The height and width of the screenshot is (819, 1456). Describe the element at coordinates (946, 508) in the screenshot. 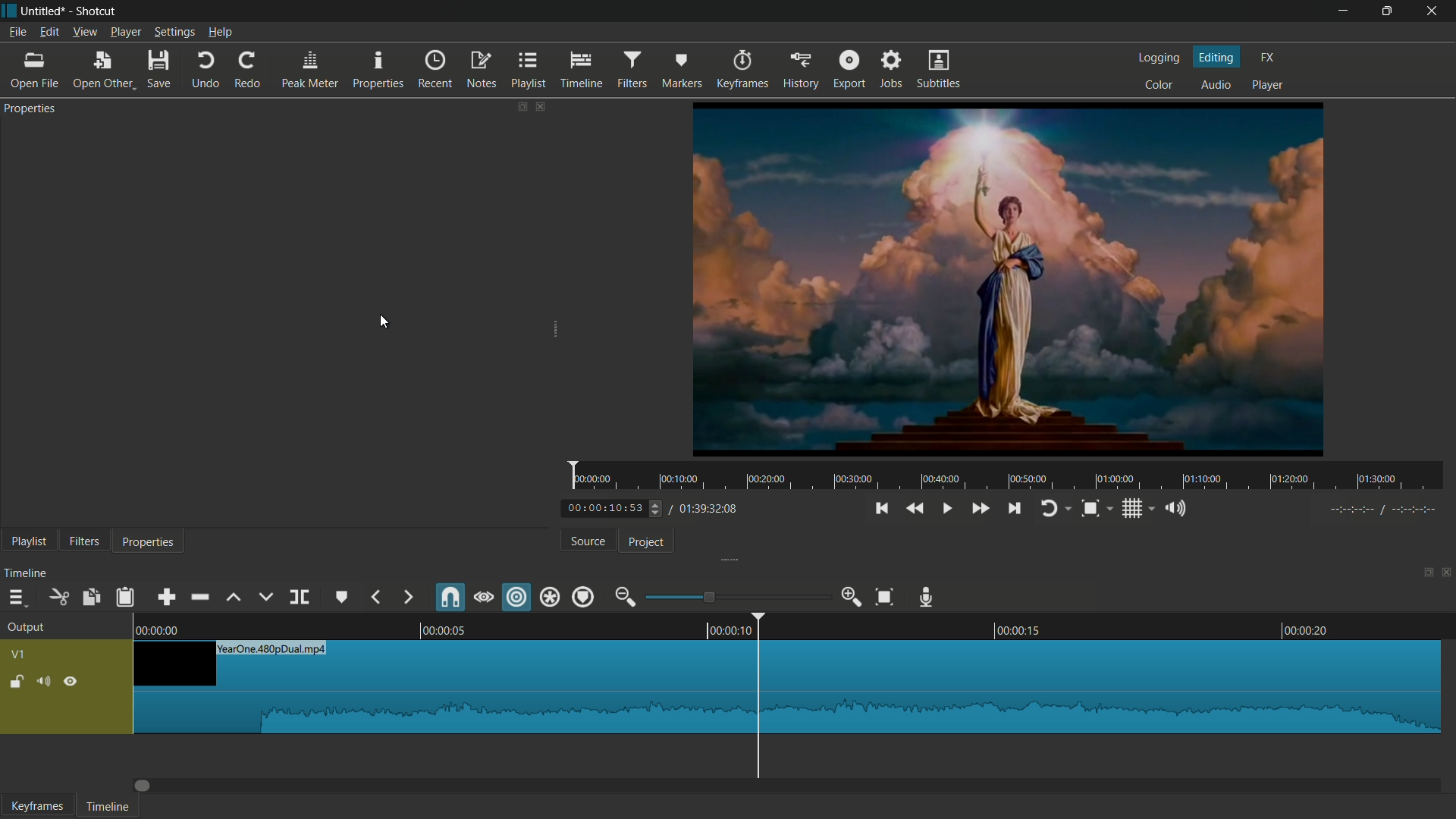

I see `play or pause` at that location.